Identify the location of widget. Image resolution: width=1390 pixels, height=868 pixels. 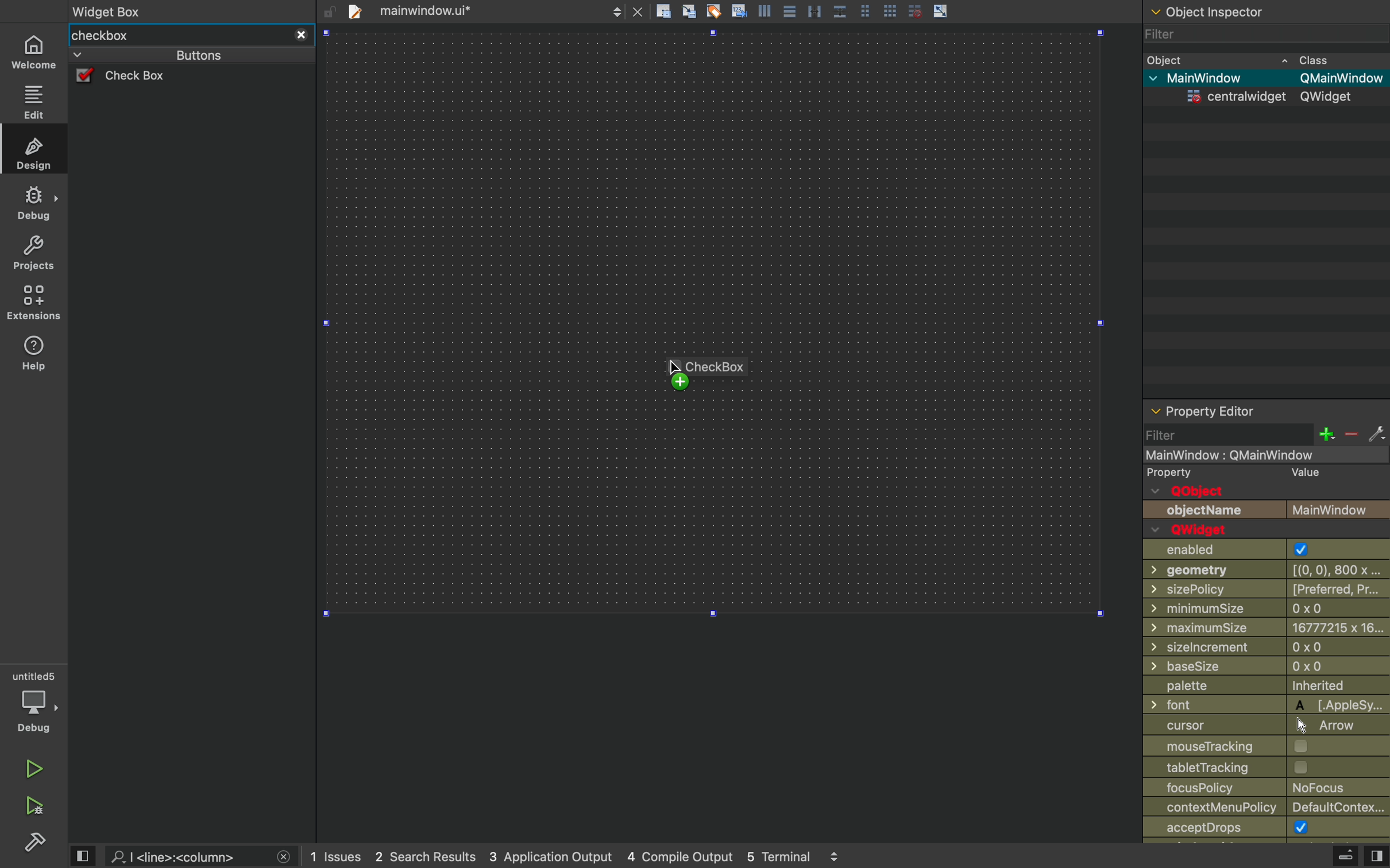
(1270, 96).